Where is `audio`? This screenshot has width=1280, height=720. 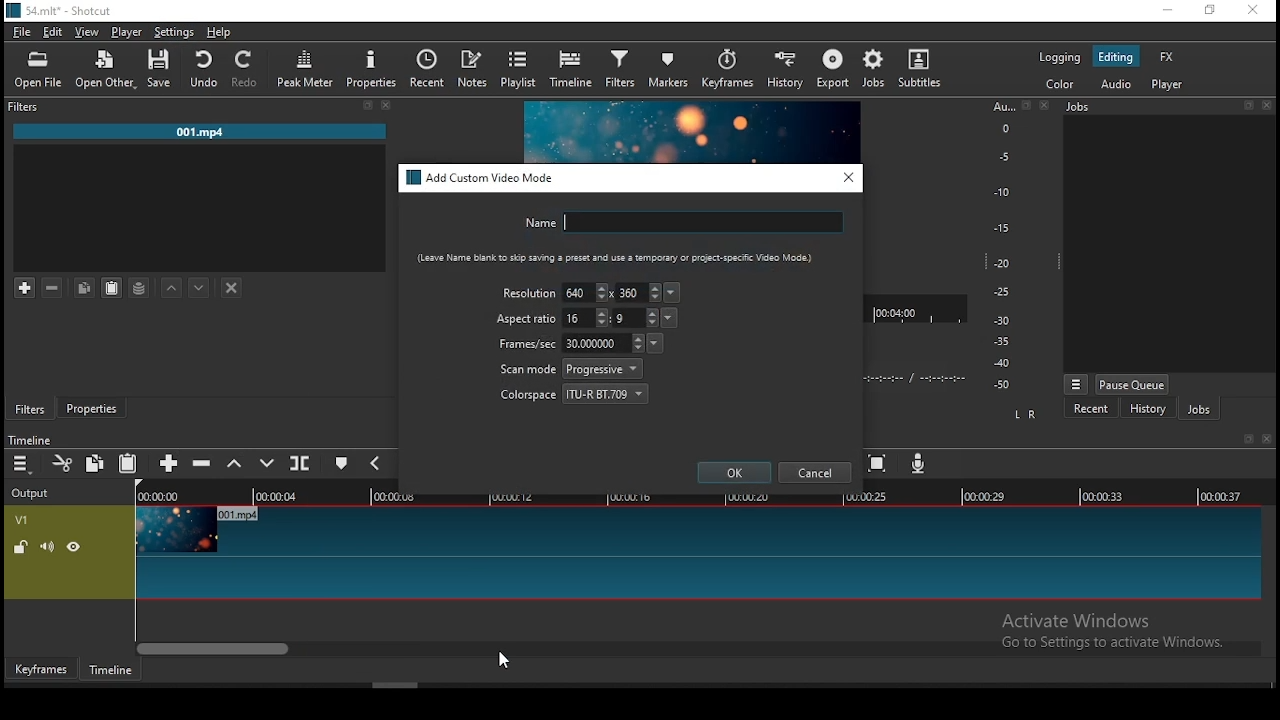 audio is located at coordinates (1115, 83).